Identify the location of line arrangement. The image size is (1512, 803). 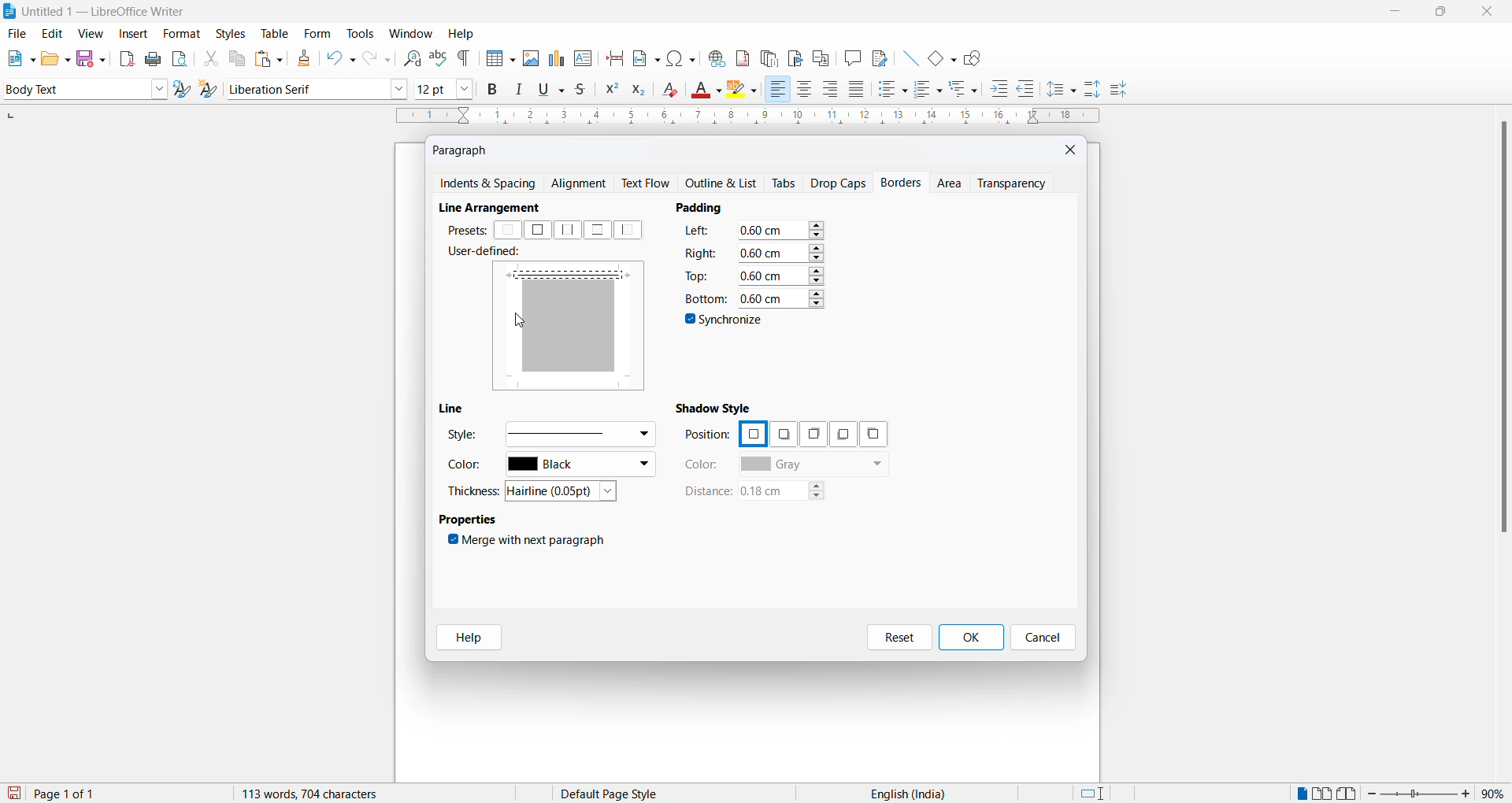
(498, 208).